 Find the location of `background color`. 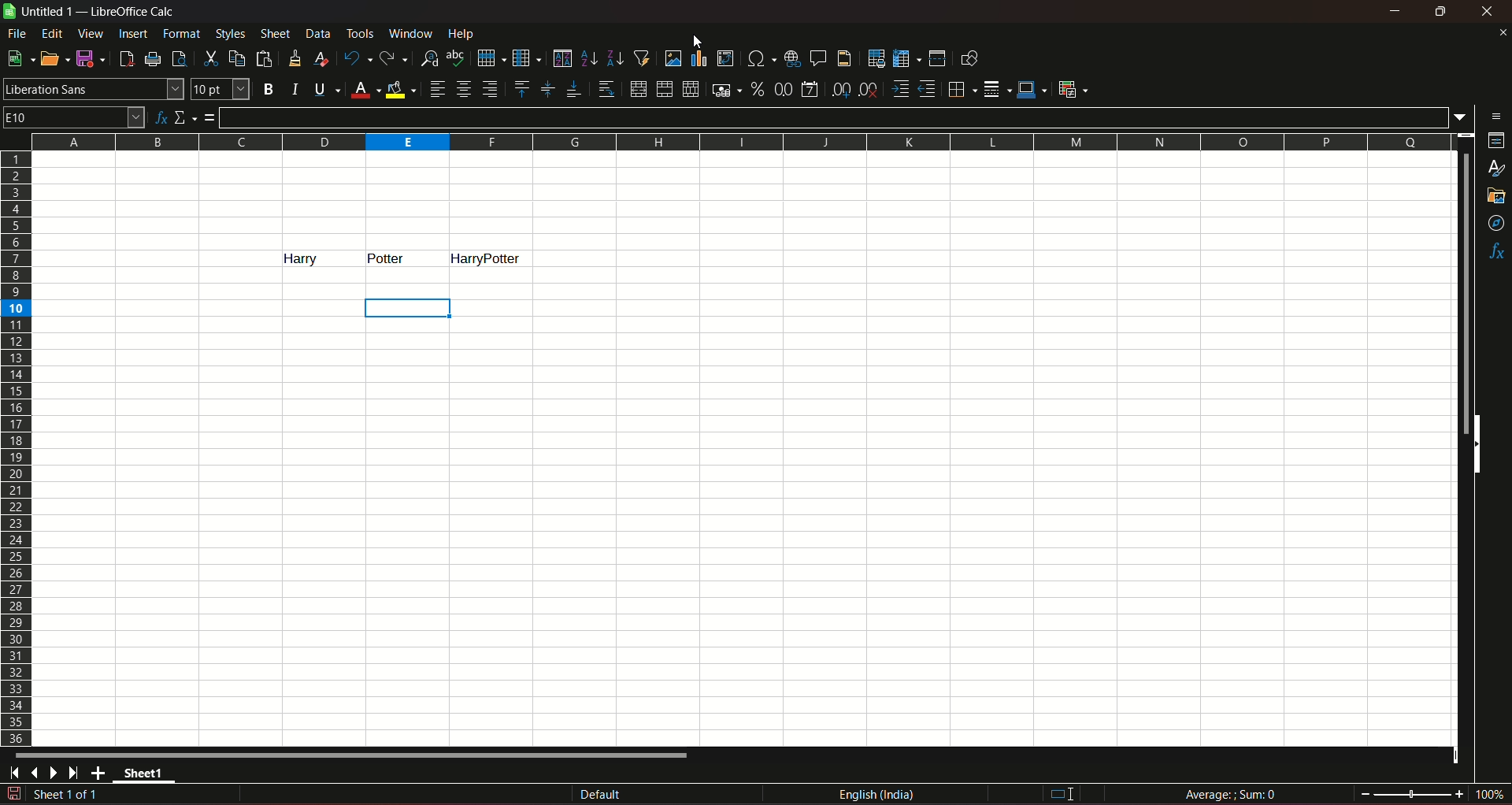

background color is located at coordinates (402, 89).